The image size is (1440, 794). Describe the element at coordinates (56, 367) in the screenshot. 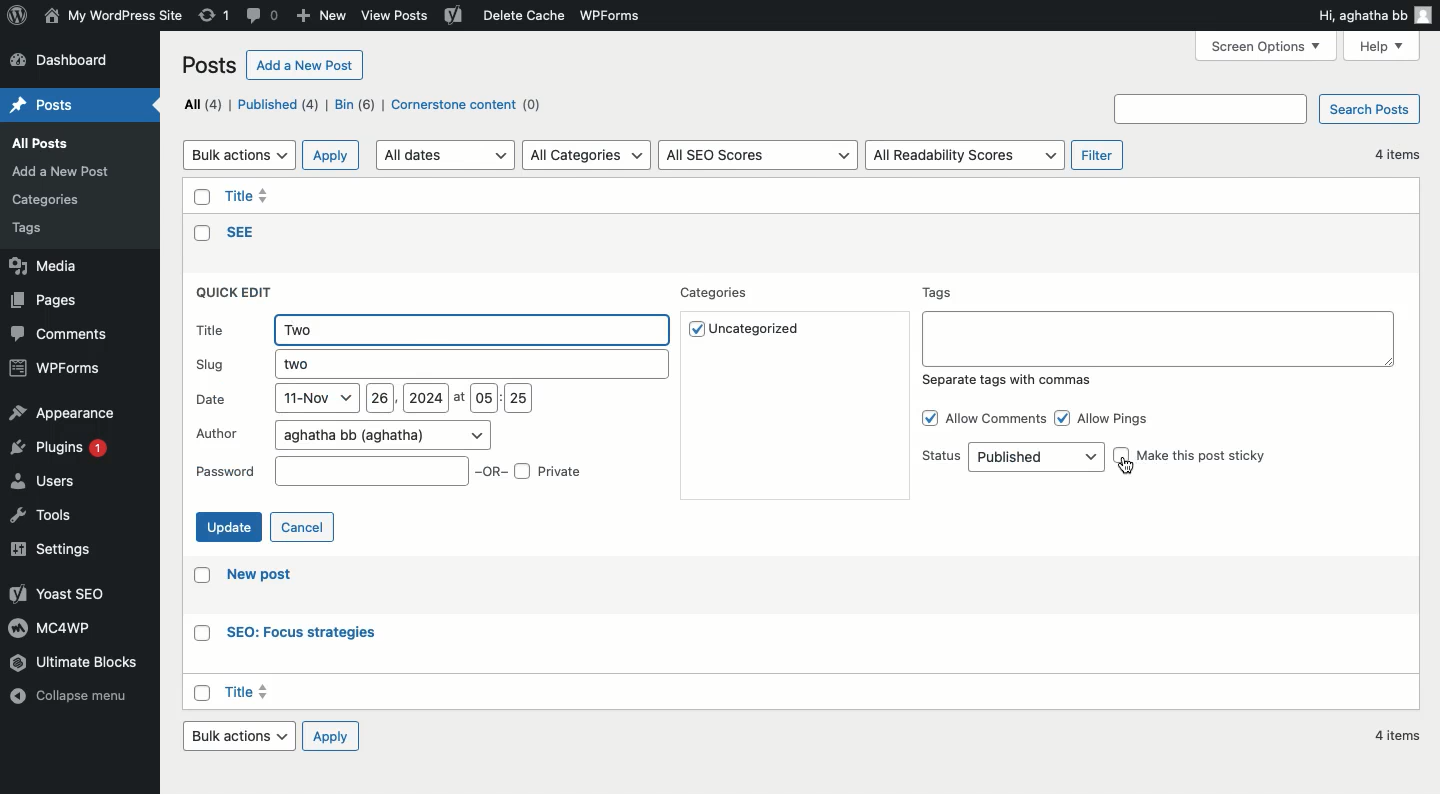

I see `WPForms` at that location.